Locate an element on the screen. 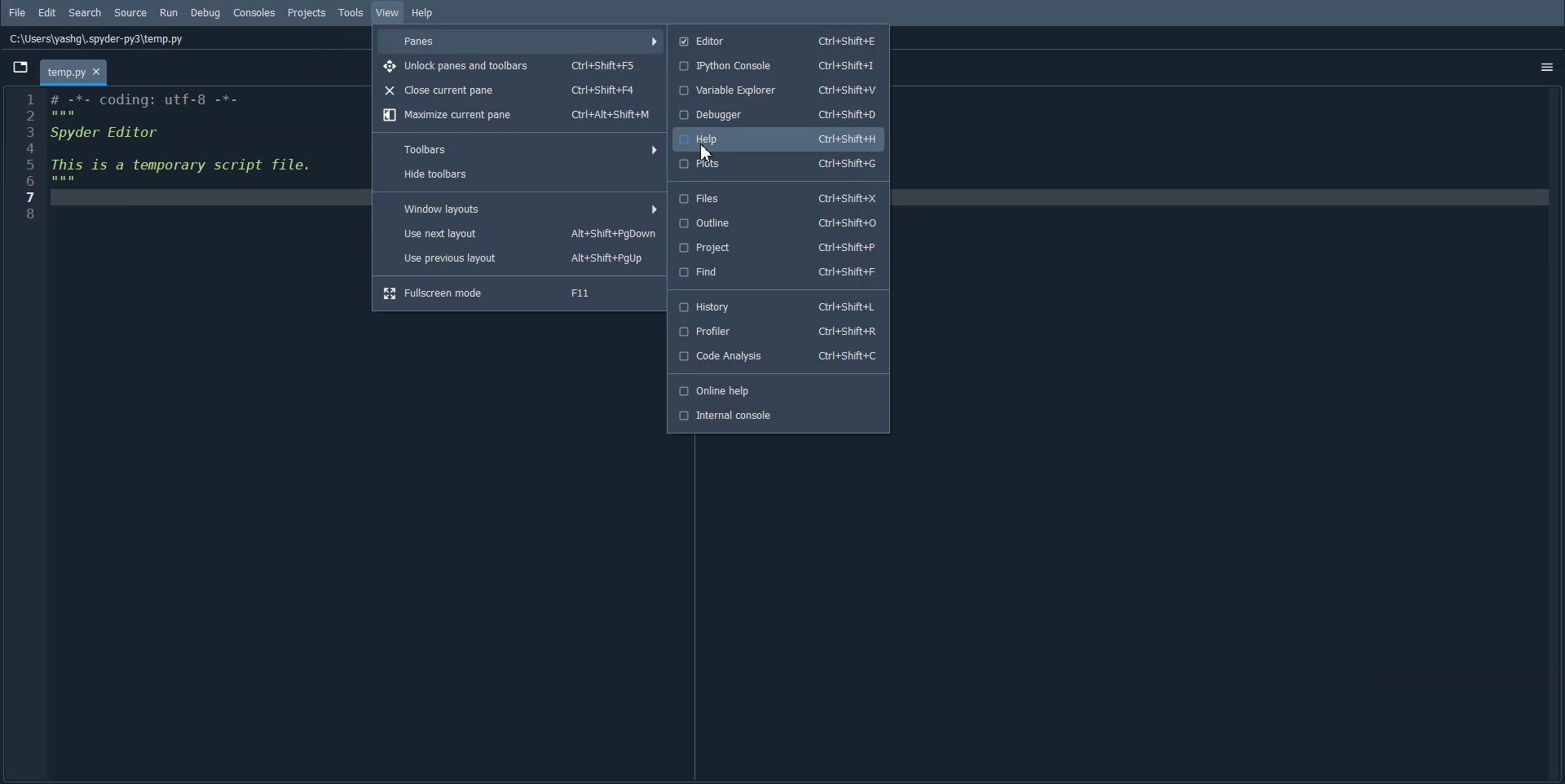 The image size is (1565, 784). Debugger is located at coordinates (778, 116).